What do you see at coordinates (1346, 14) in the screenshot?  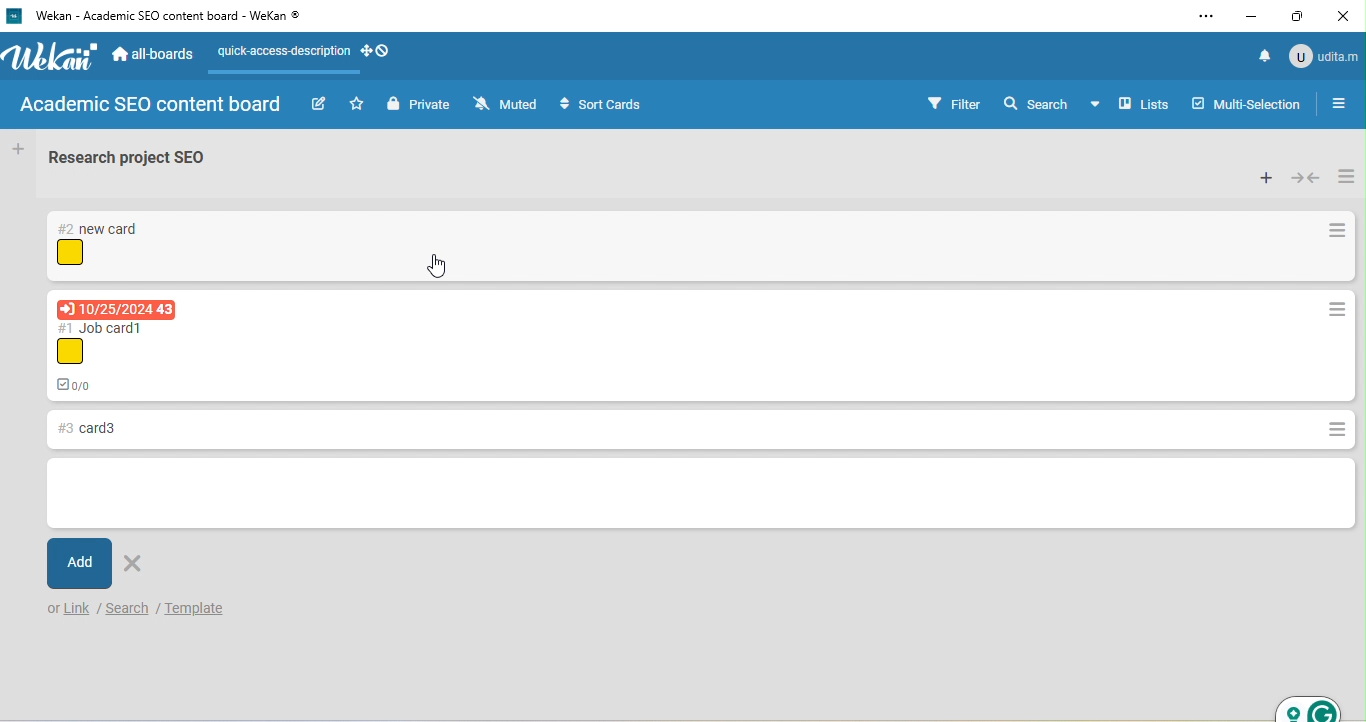 I see `close` at bounding box center [1346, 14].